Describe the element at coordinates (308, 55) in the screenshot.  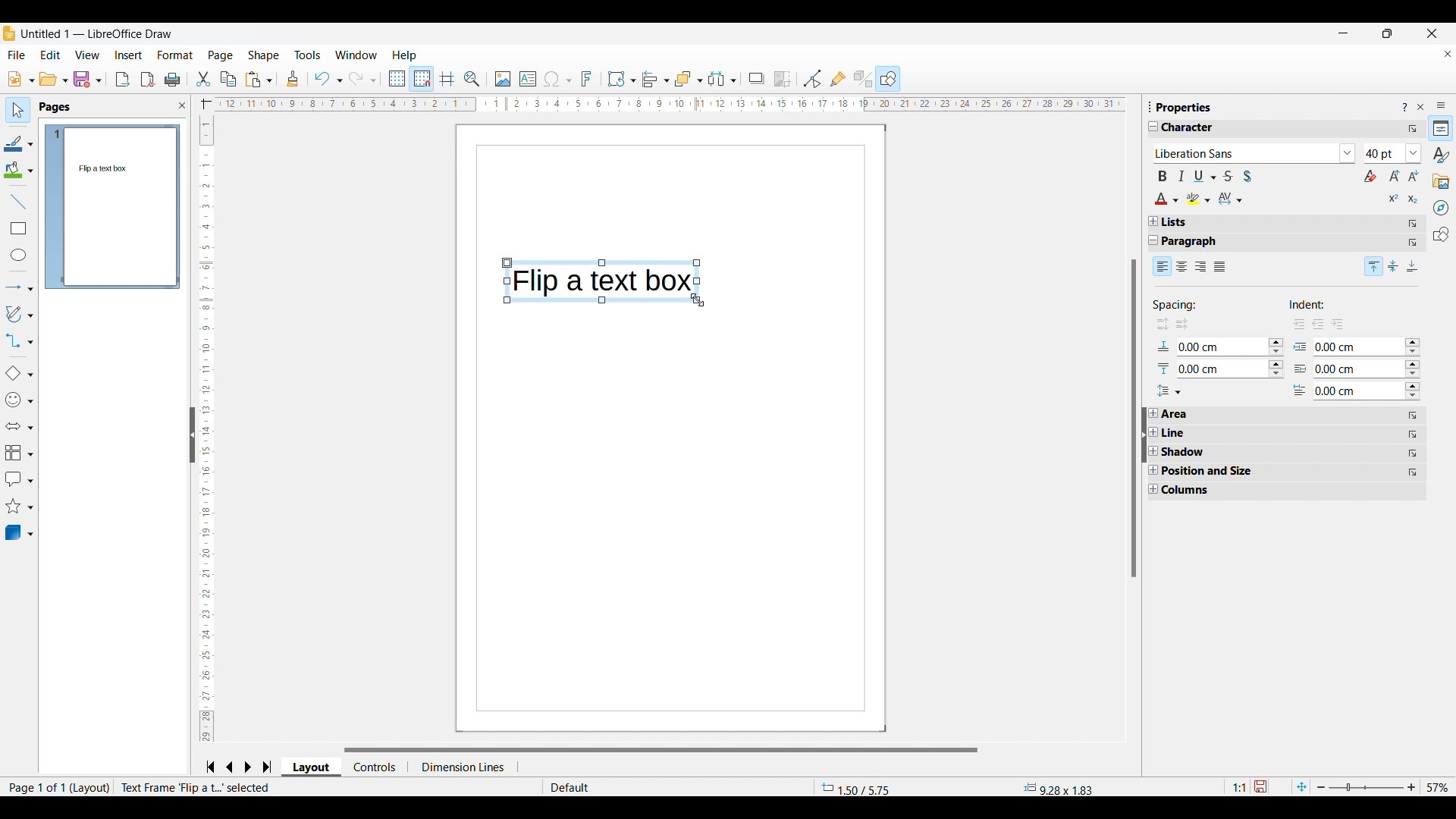
I see `Tools menu` at that location.